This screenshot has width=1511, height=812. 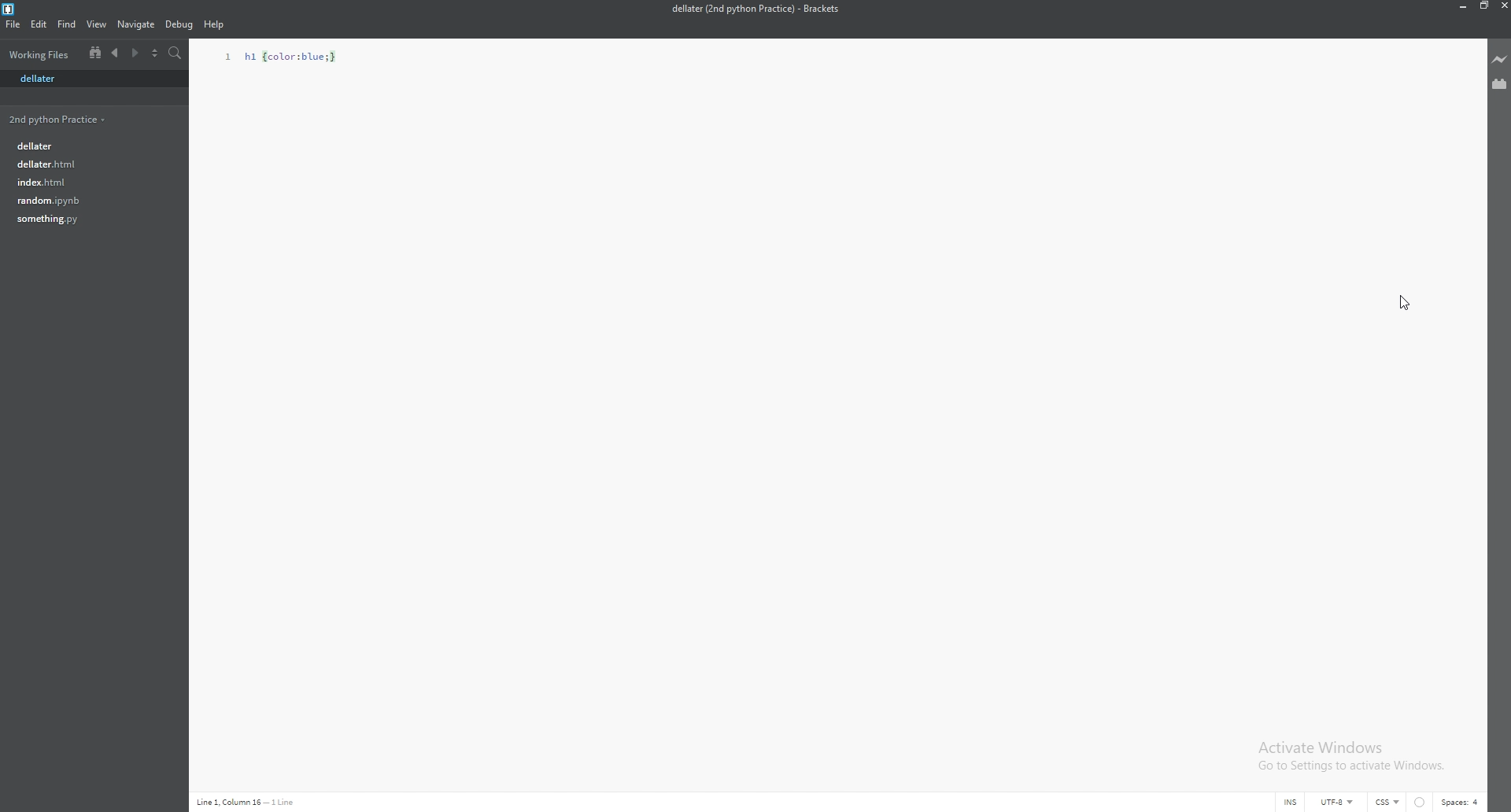 I want to click on help, so click(x=215, y=25).